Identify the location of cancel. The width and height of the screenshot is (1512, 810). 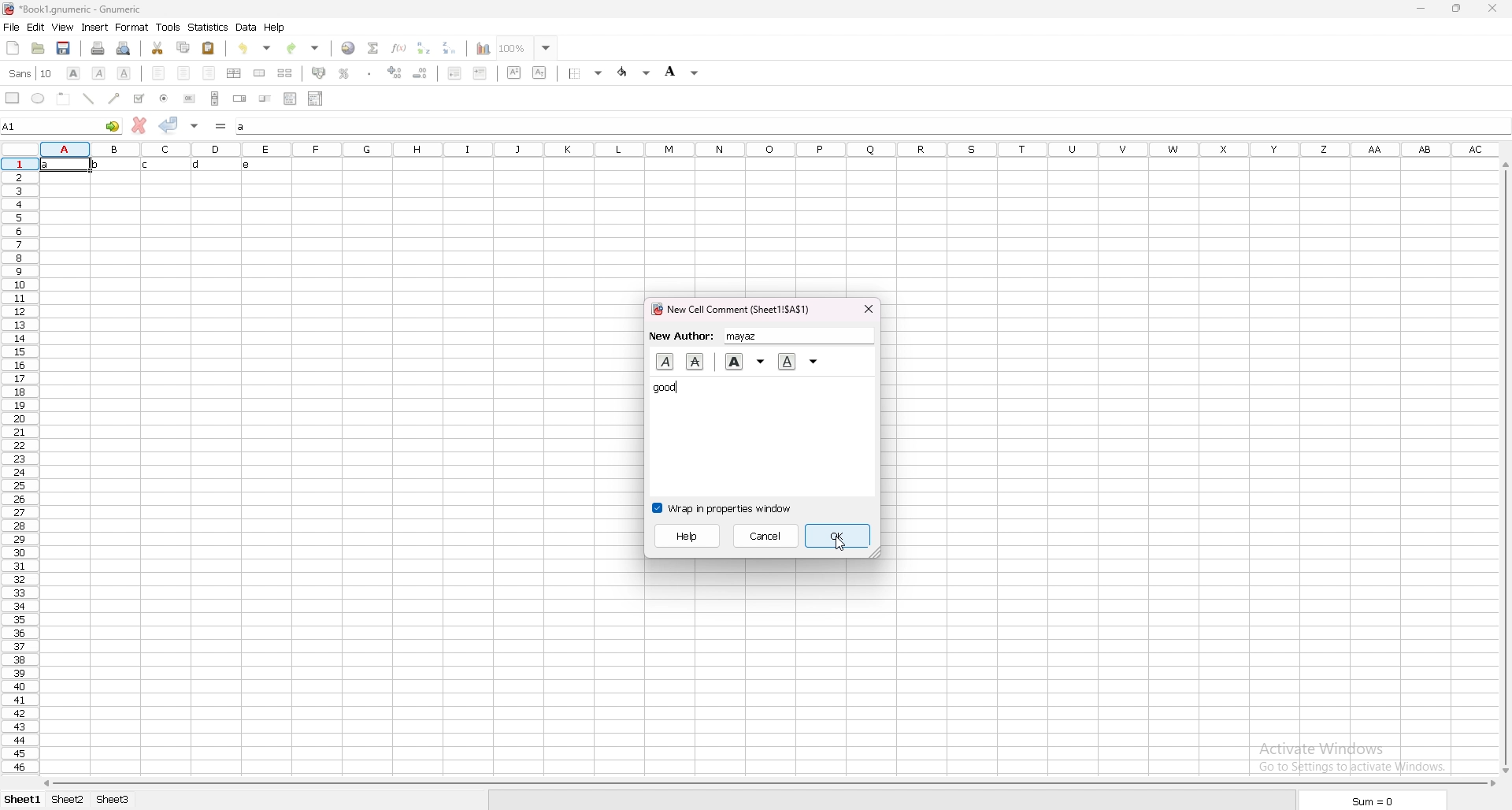
(767, 535).